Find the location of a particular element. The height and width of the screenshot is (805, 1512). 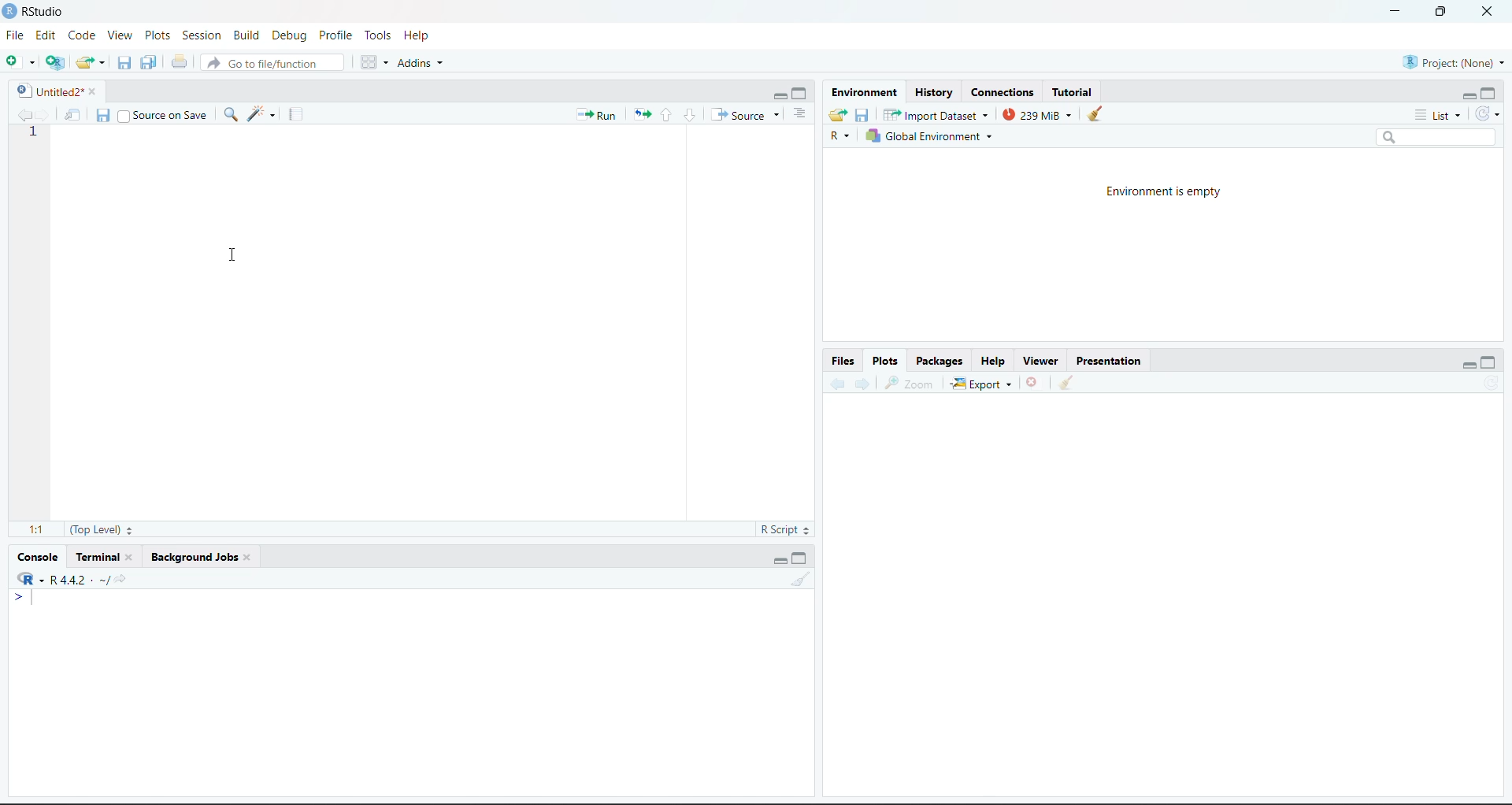

Viewer is located at coordinates (1040, 359).